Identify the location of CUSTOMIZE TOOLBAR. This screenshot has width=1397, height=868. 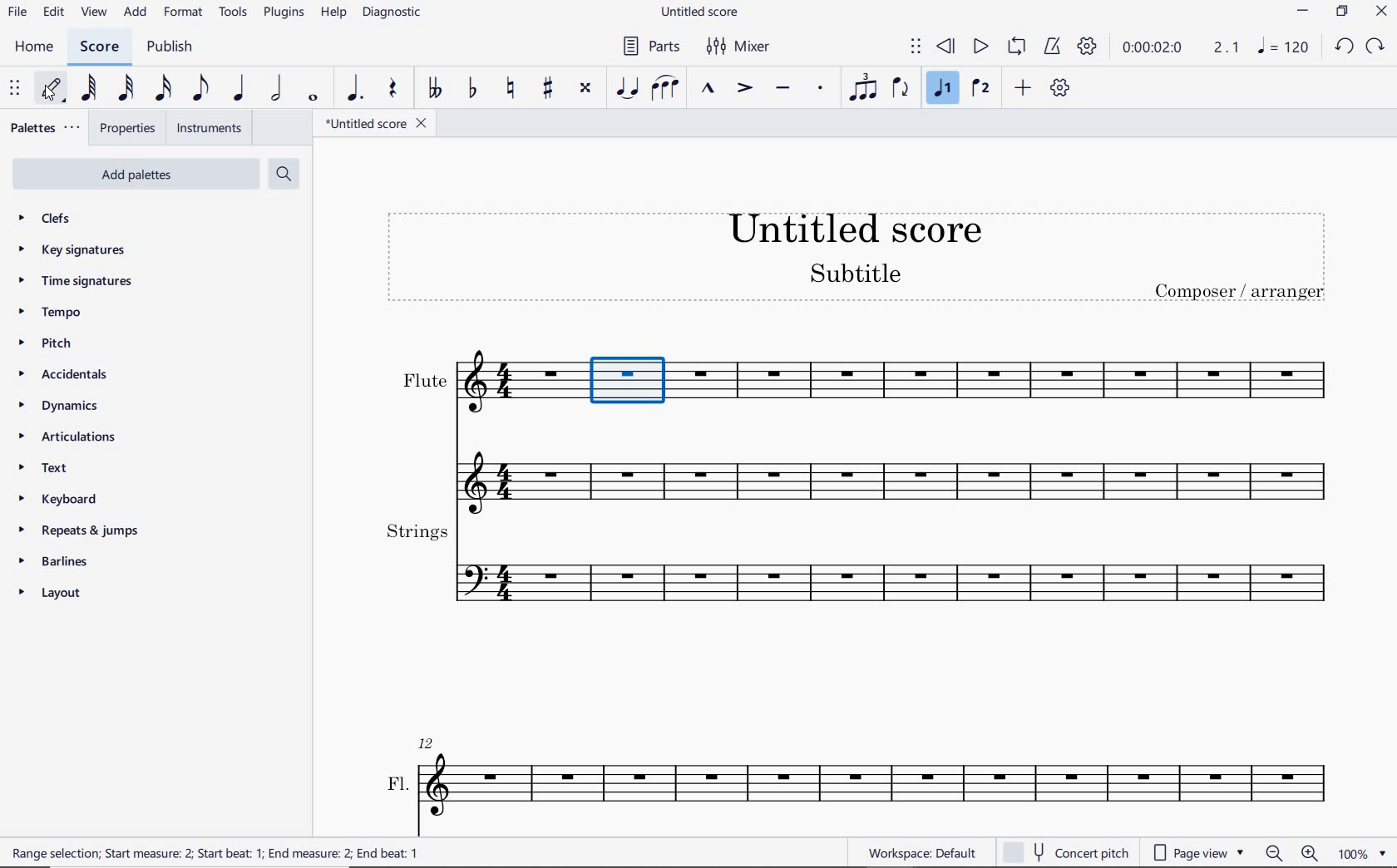
(1060, 88).